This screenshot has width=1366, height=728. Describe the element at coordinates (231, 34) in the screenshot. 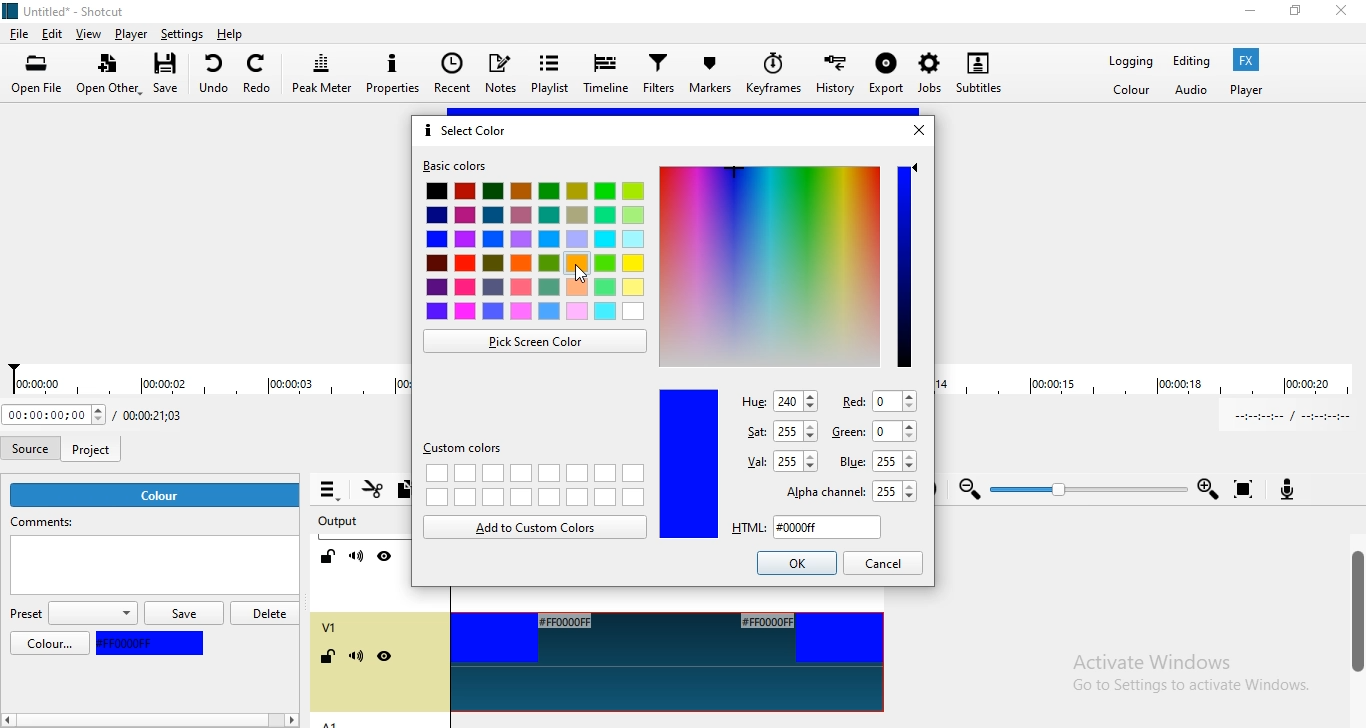

I see `help` at that location.